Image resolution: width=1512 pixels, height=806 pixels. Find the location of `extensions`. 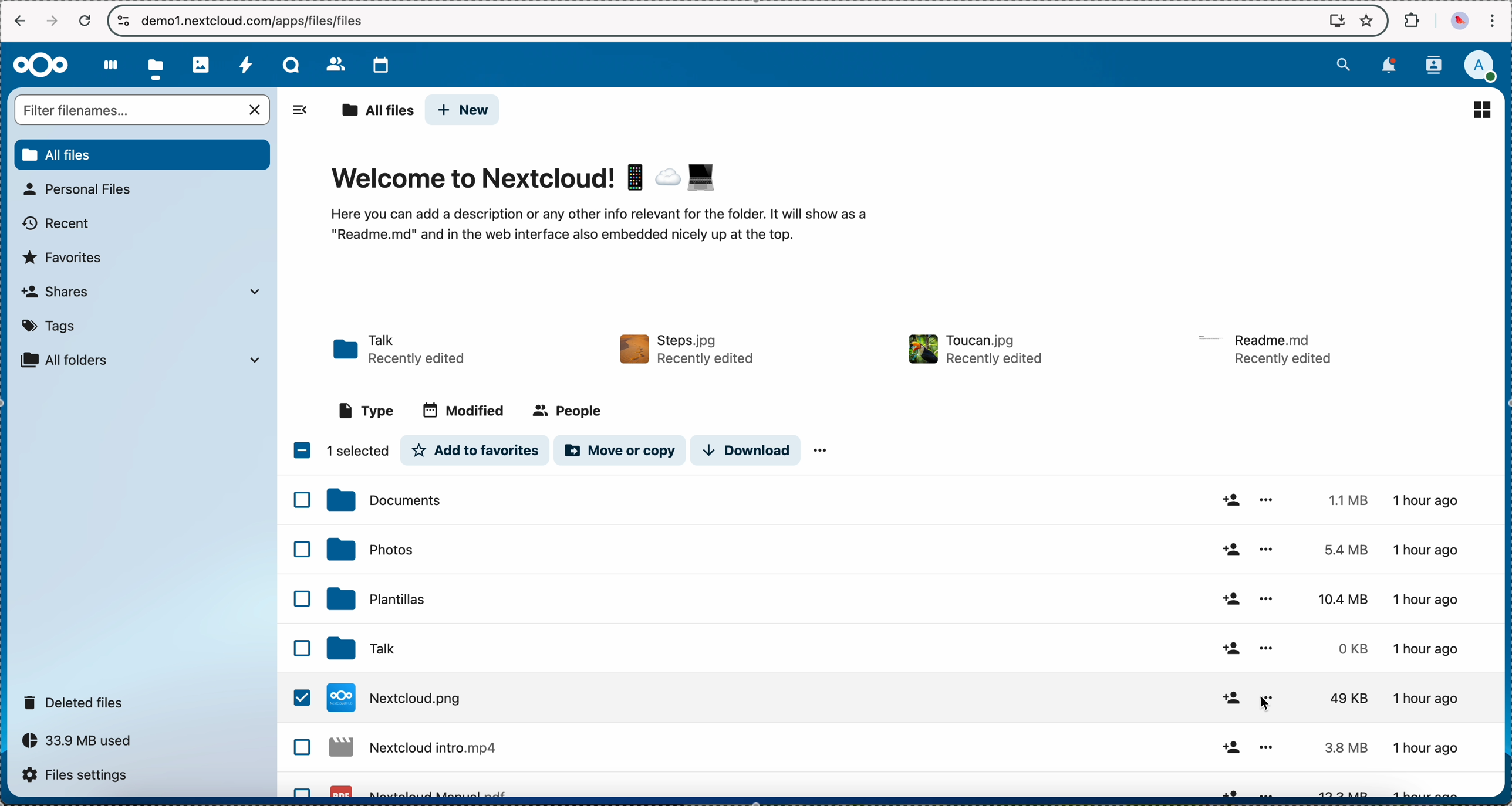

extensions is located at coordinates (1412, 21).